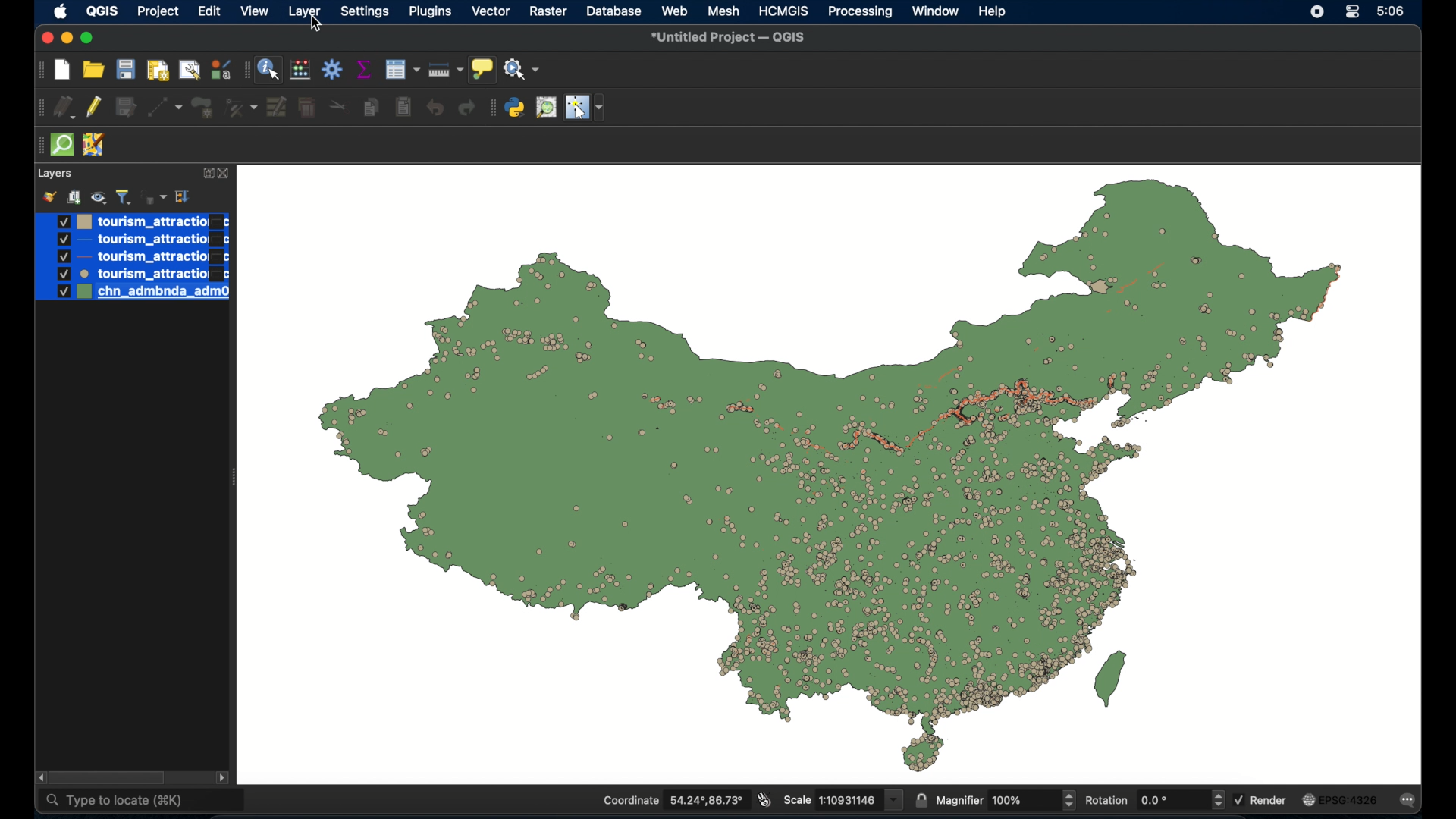  I want to click on collapse all, so click(182, 196).